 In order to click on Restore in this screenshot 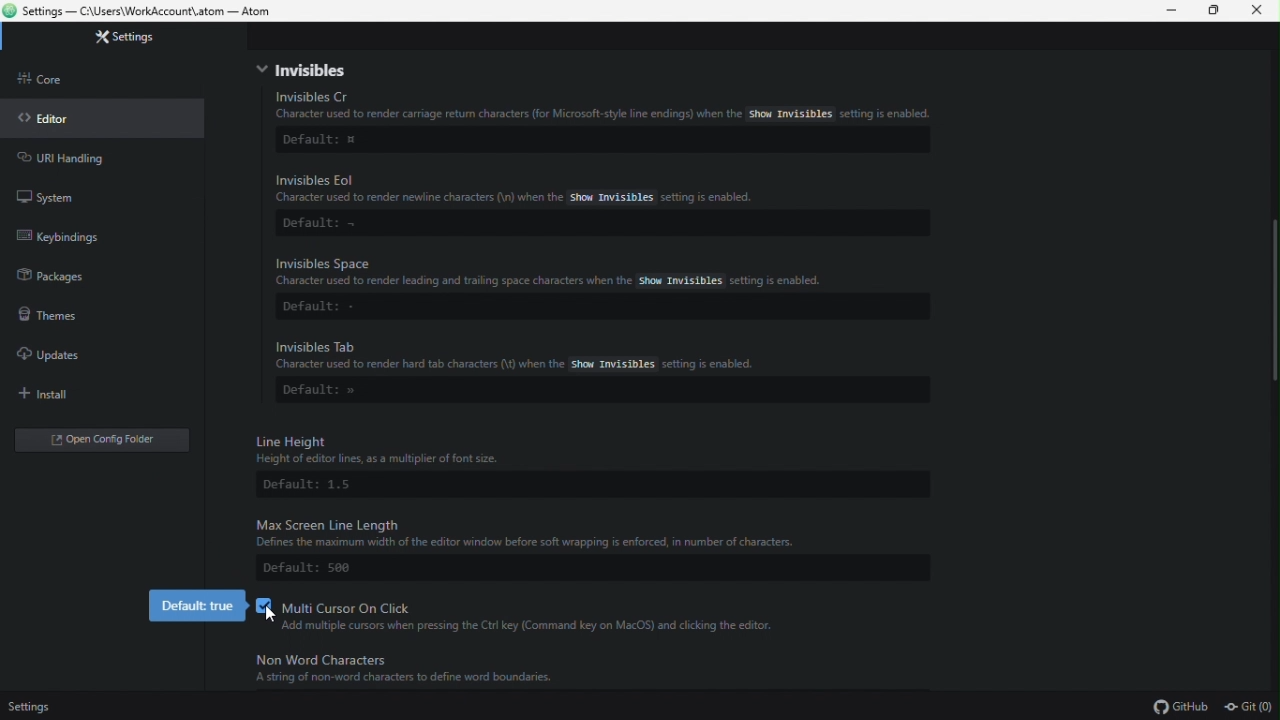, I will do `click(1213, 10)`.